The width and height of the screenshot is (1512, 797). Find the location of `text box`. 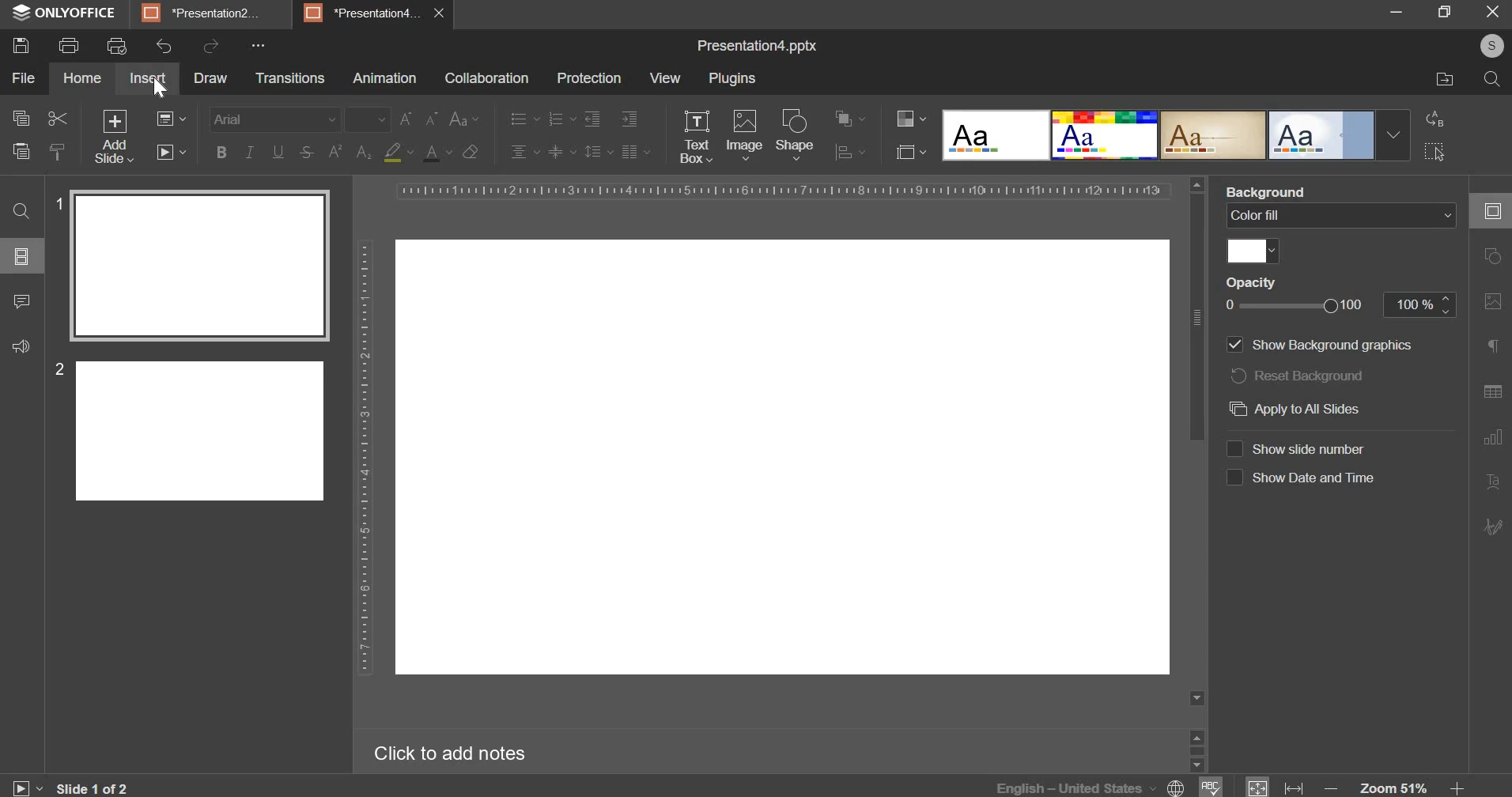

text box is located at coordinates (696, 137).